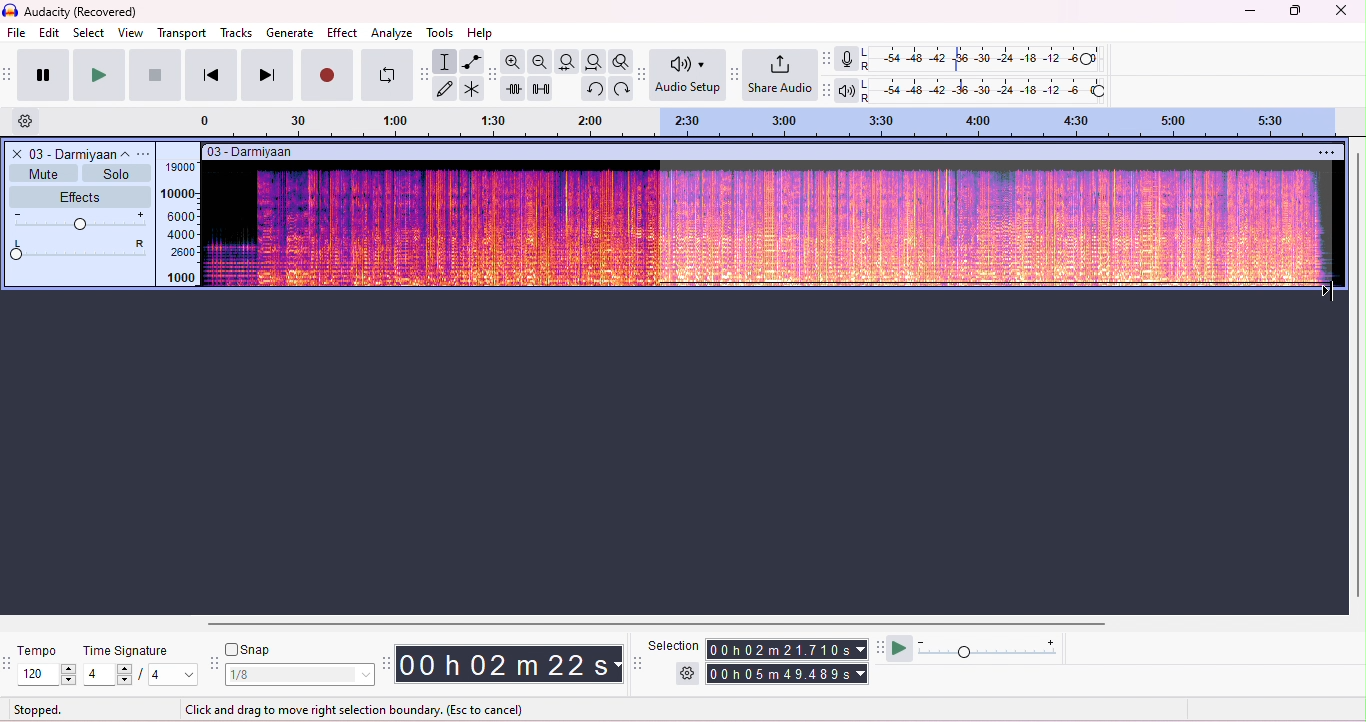  I want to click on tempo, so click(39, 651).